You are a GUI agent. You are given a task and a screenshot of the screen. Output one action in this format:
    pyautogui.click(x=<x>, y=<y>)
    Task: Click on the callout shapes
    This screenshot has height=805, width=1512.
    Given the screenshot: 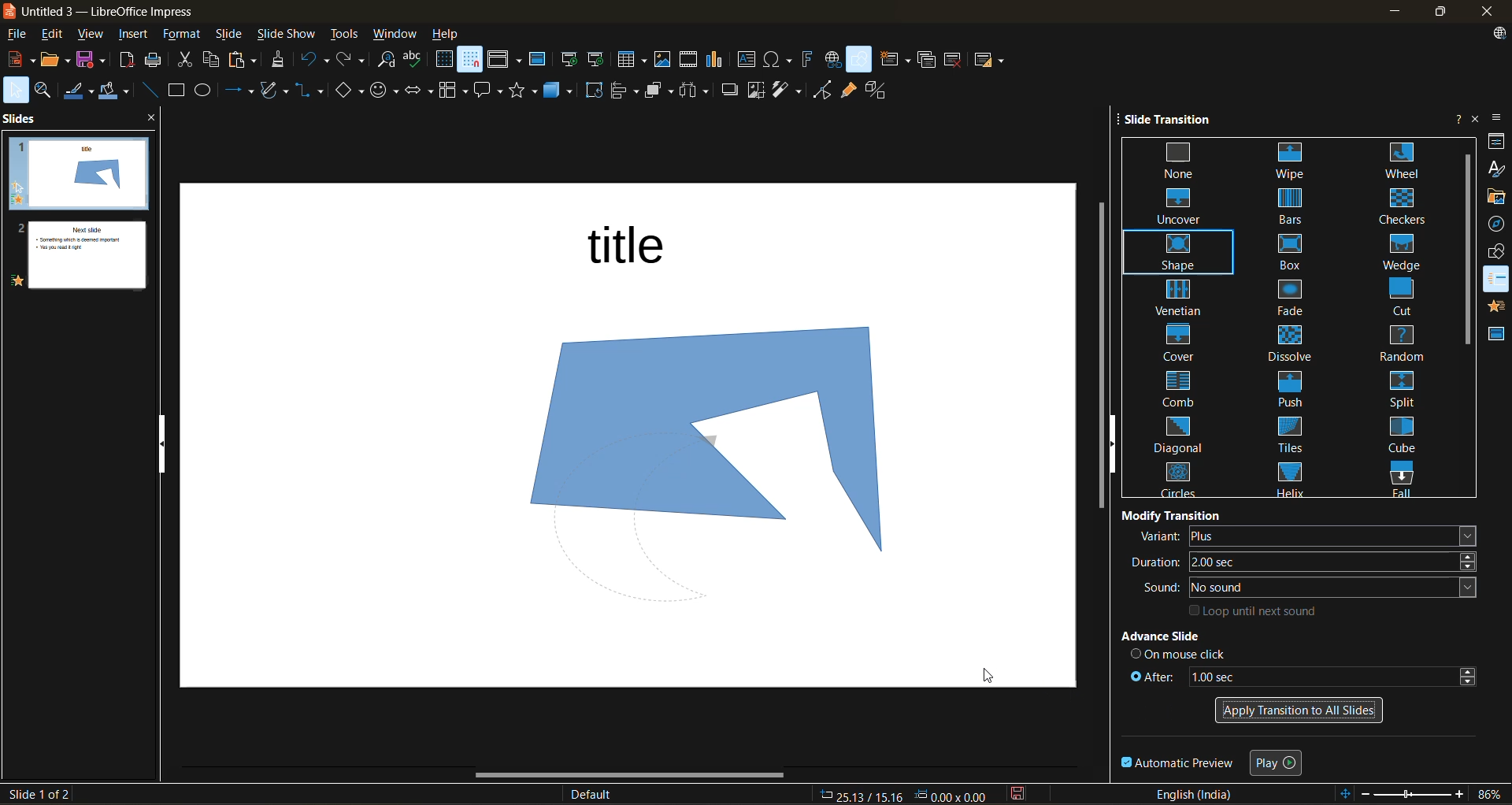 What is the action you would take?
    pyautogui.click(x=491, y=91)
    